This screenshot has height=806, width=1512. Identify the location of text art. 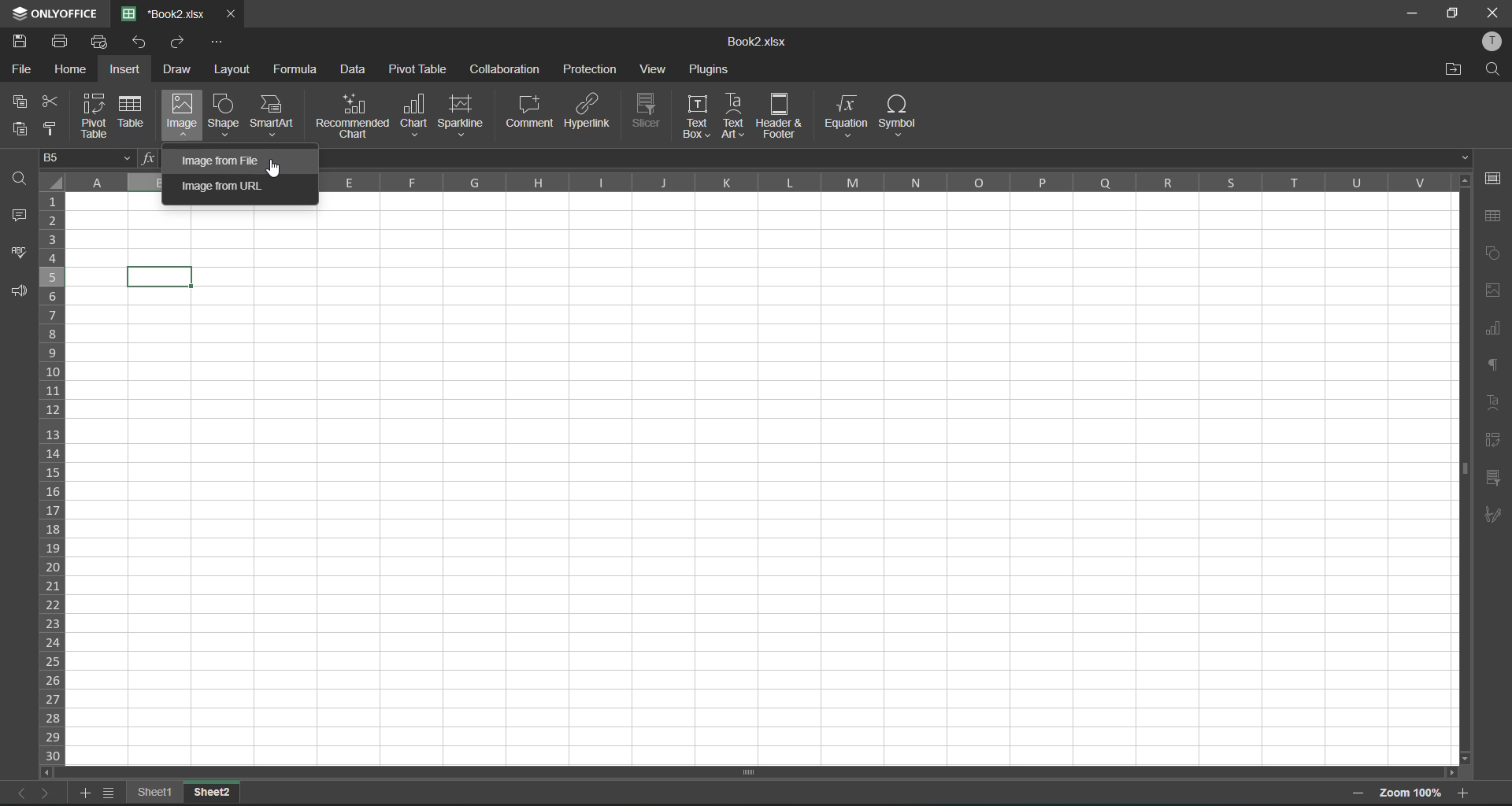
(732, 116).